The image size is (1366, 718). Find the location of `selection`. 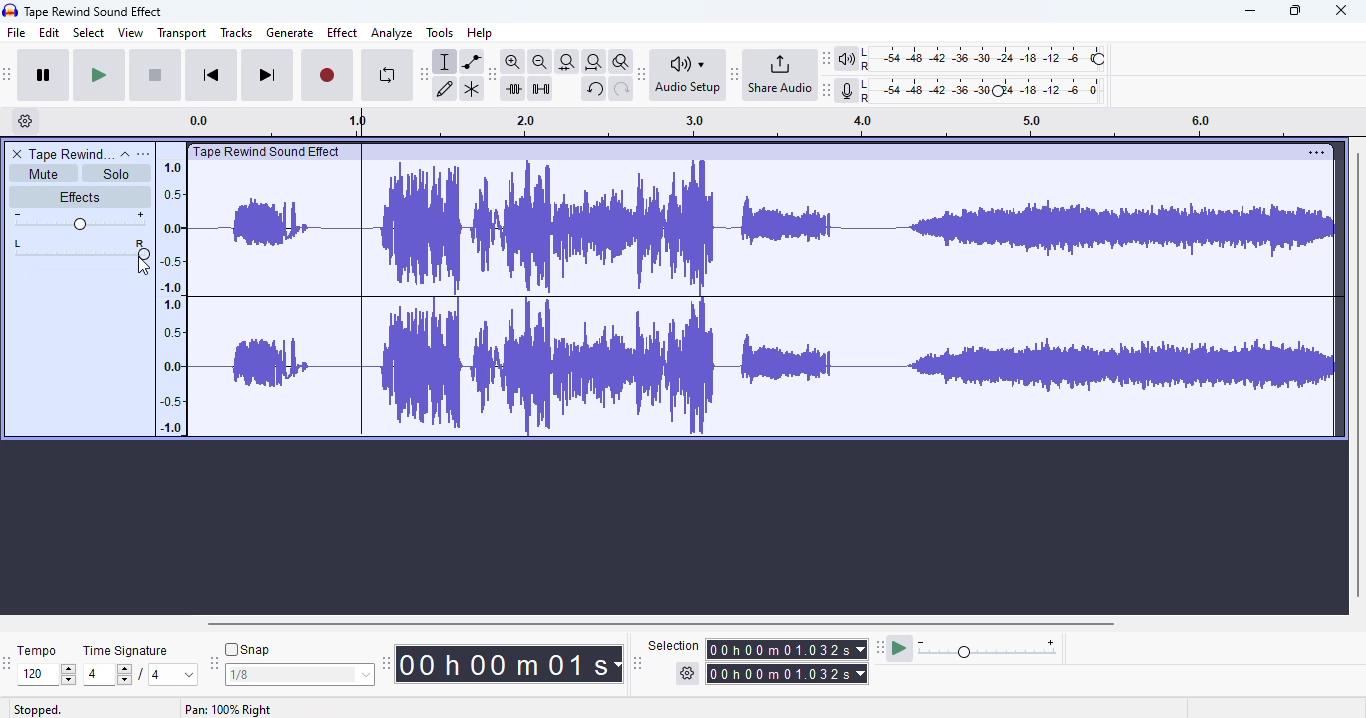

selection is located at coordinates (759, 660).